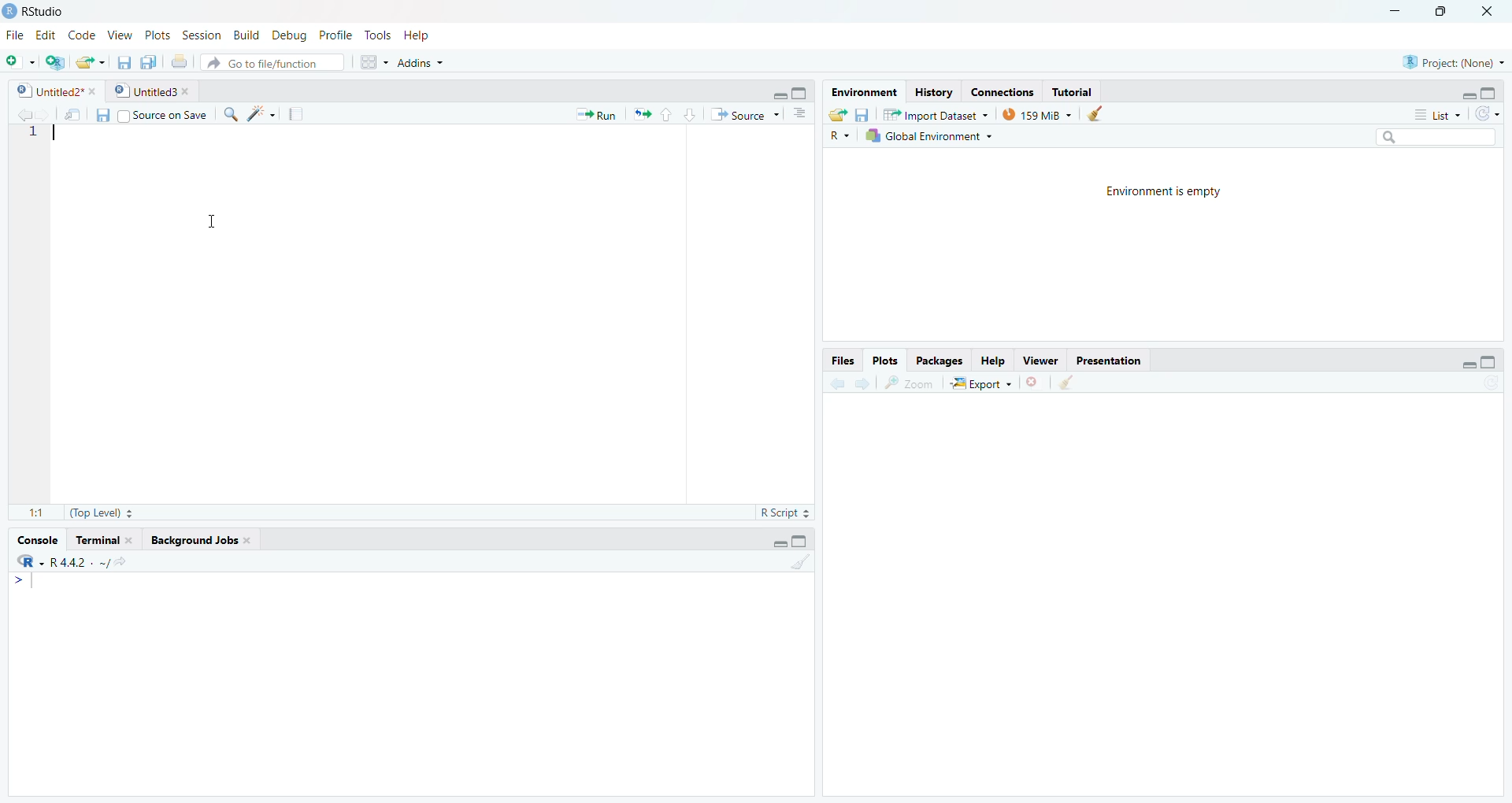  I want to click on R 4.2.2 . ~ /, so click(78, 564).